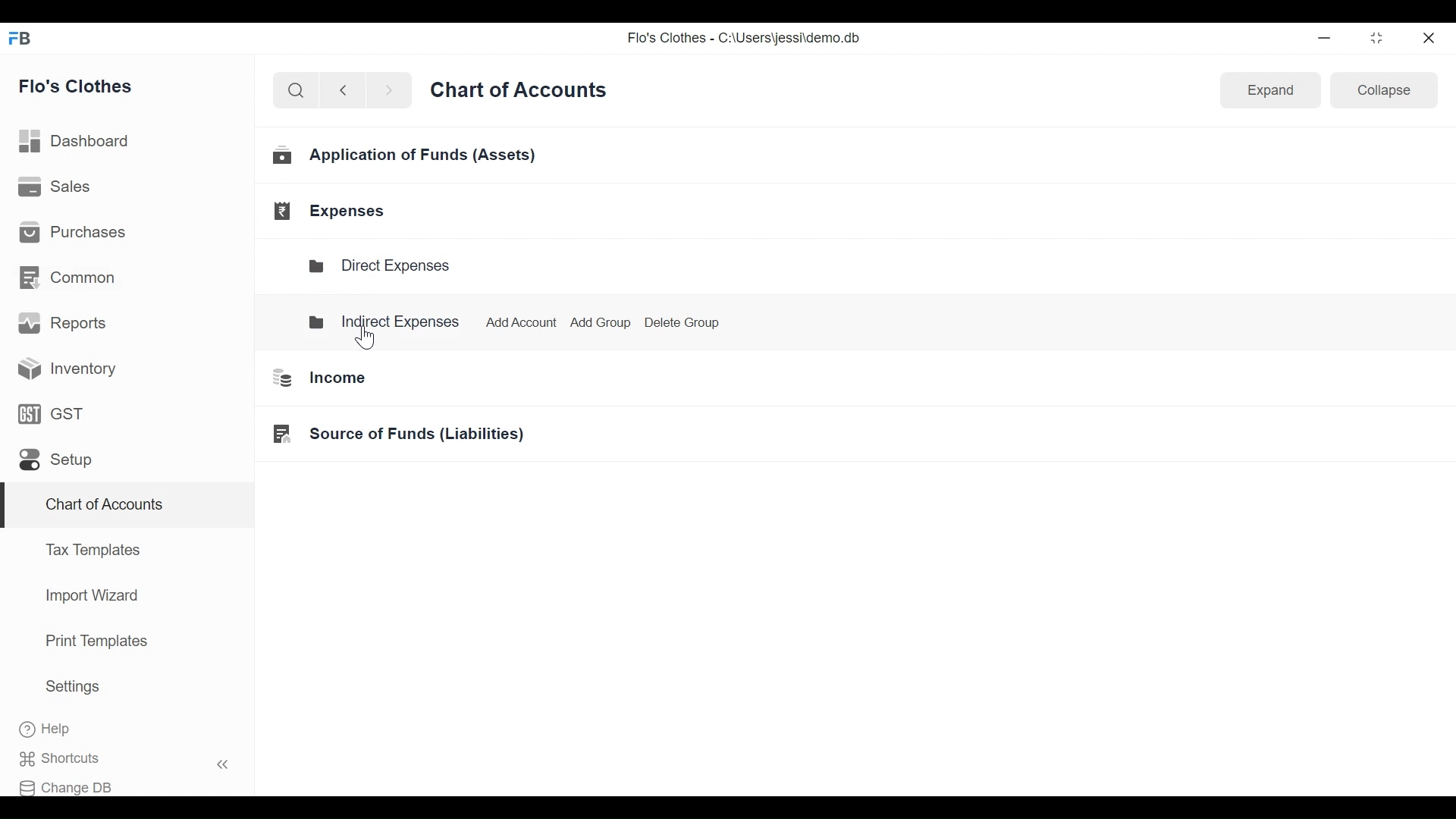 The width and height of the screenshot is (1456, 819). I want to click on Income, so click(313, 378).